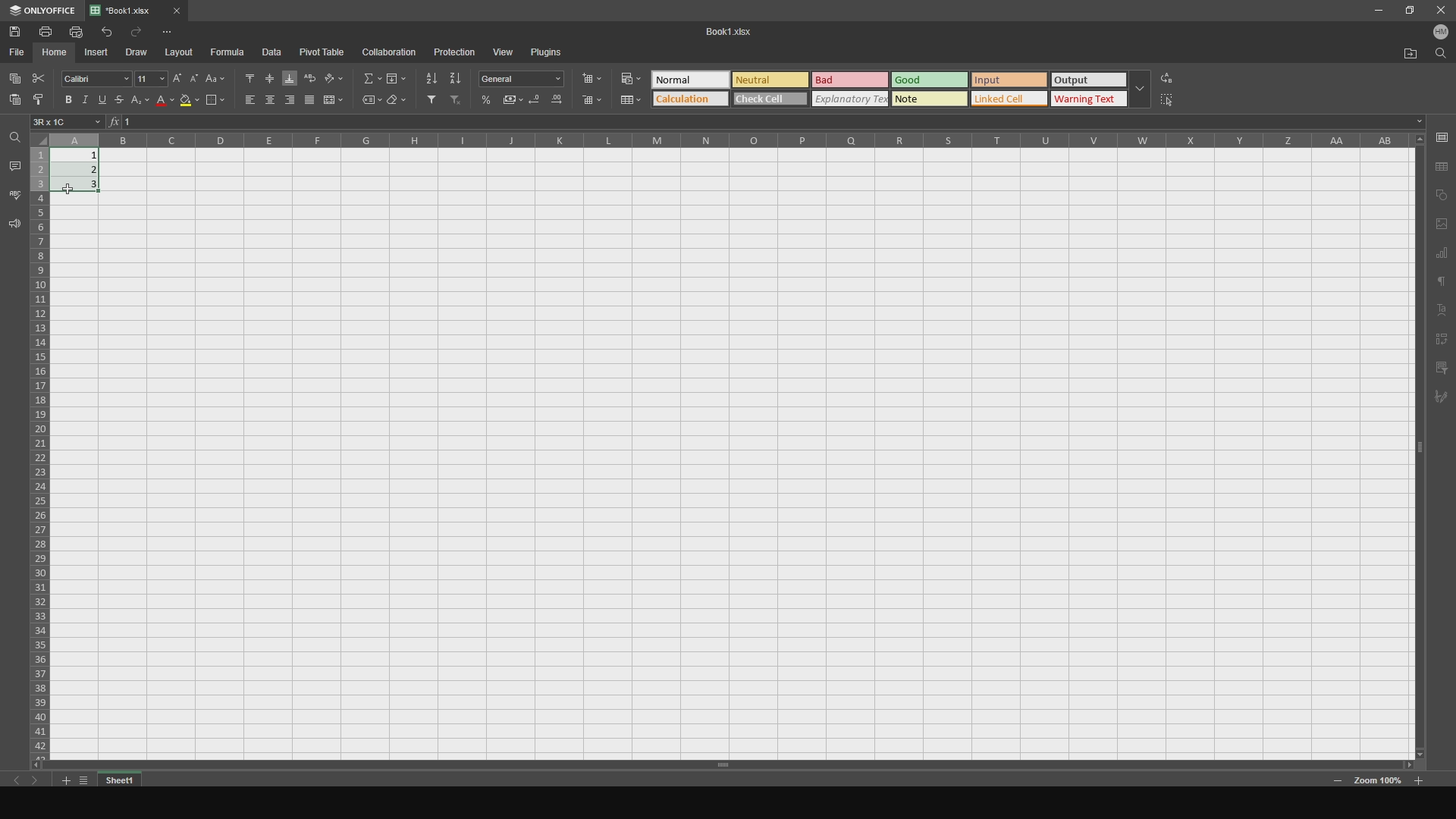 The image size is (1456, 819). I want to click on align middle, so click(268, 76).